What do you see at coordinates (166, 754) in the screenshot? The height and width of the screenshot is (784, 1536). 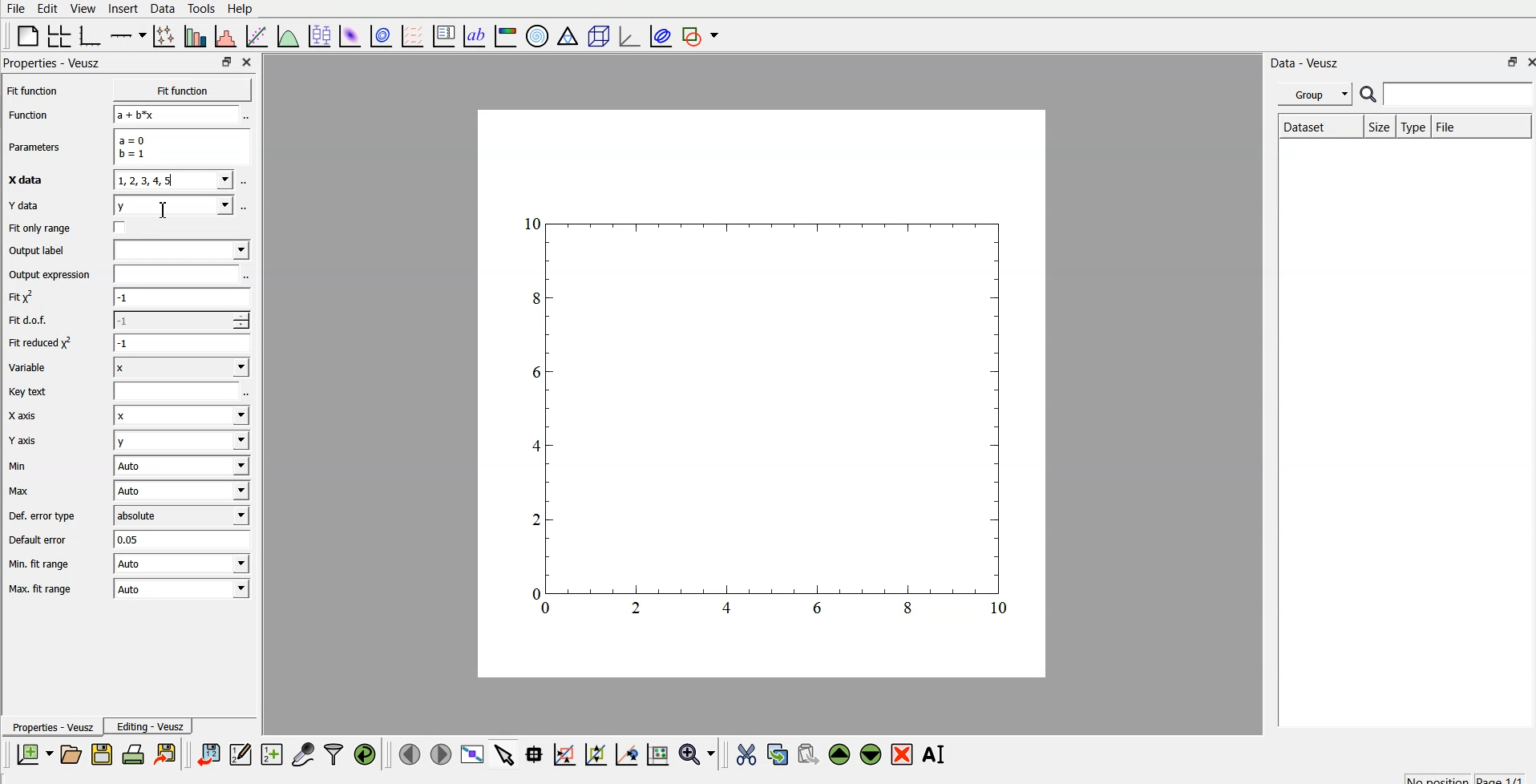 I see `print the document` at bounding box center [166, 754].